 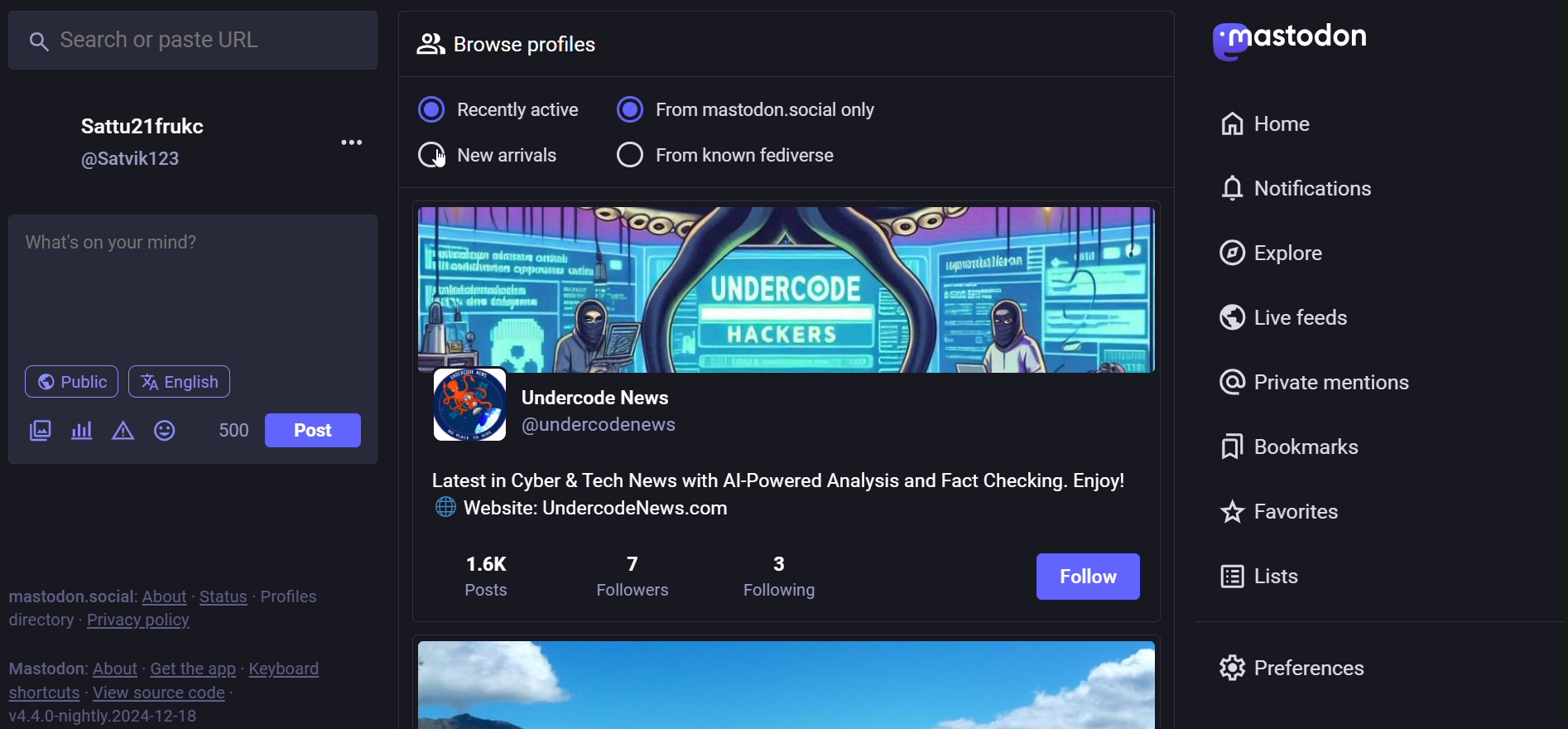 I want to click on about, so click(x=116, y=668).